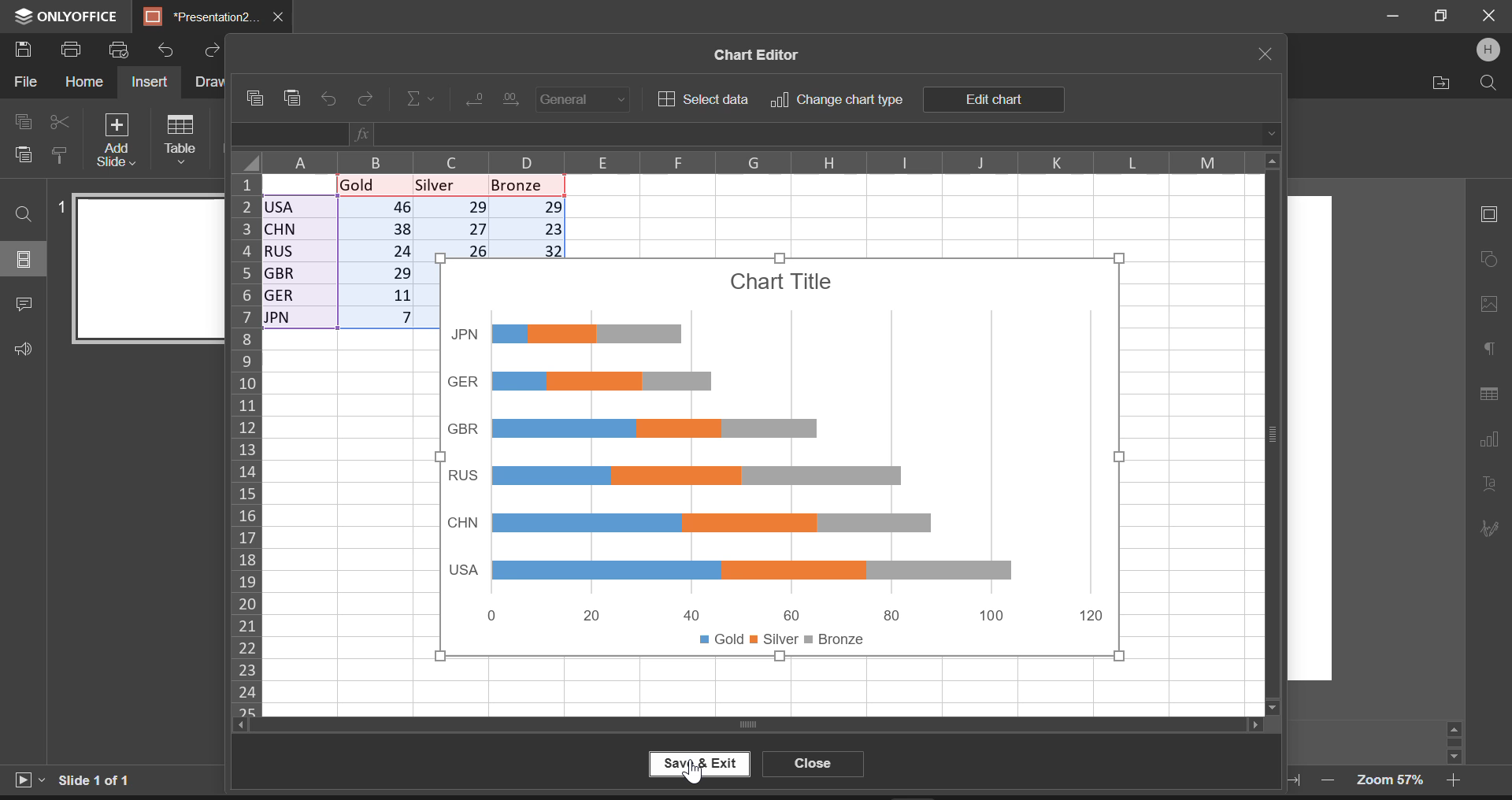  What do you see at coordinates (74, 51) in the screenshot?
I see `Print` at bounding box center [74, 51].